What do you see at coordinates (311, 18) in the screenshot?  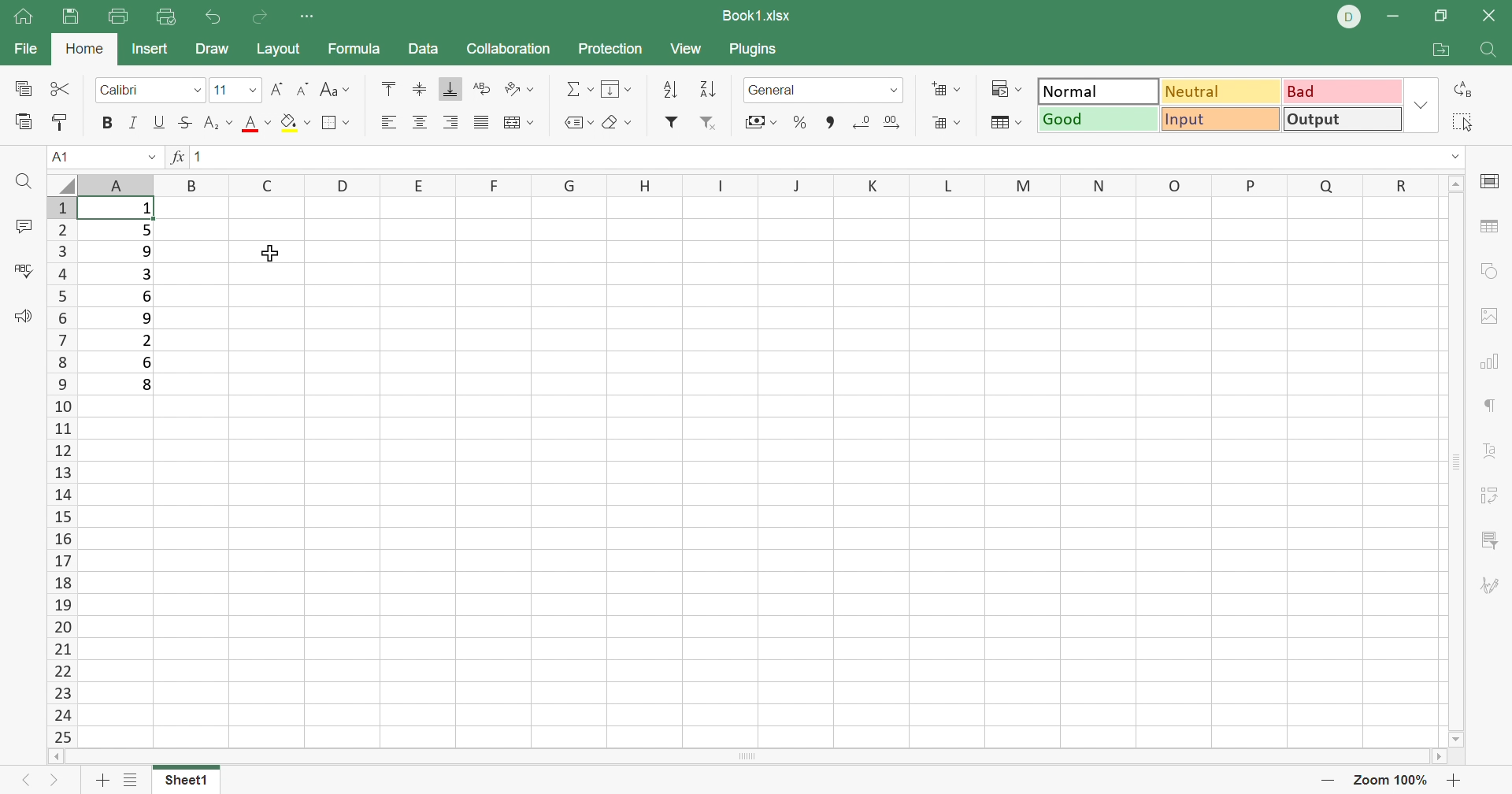 I see `Customize Quick Access Toolbar` at bounding box center [311, 18].